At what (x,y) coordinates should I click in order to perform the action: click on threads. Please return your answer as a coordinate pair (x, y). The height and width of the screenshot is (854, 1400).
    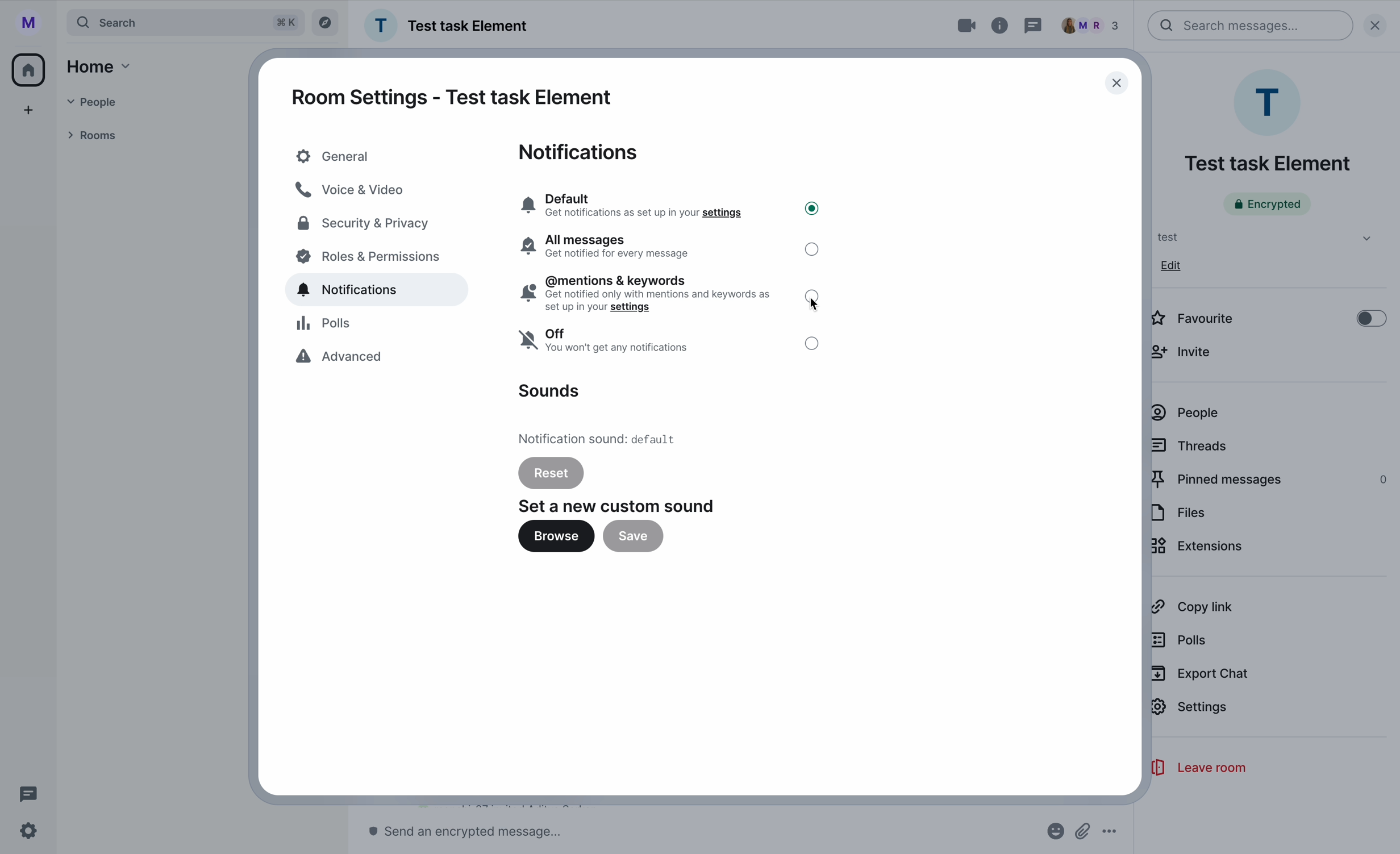
    Looking at the image, I should click on (1191, 445).